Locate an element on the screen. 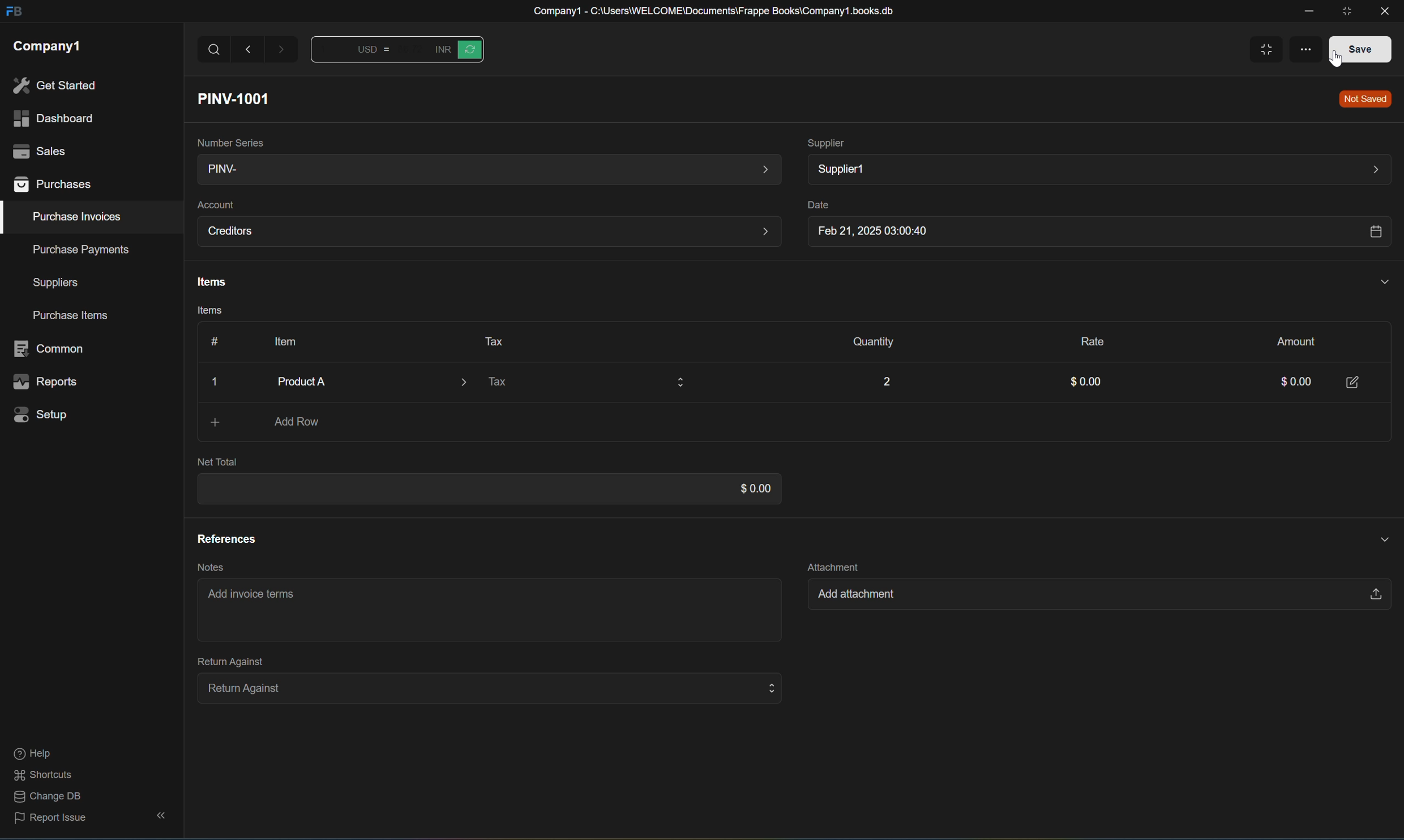 The height and width of the screenshot is (840, 1404). Forward is located at coordinates (283, 52).